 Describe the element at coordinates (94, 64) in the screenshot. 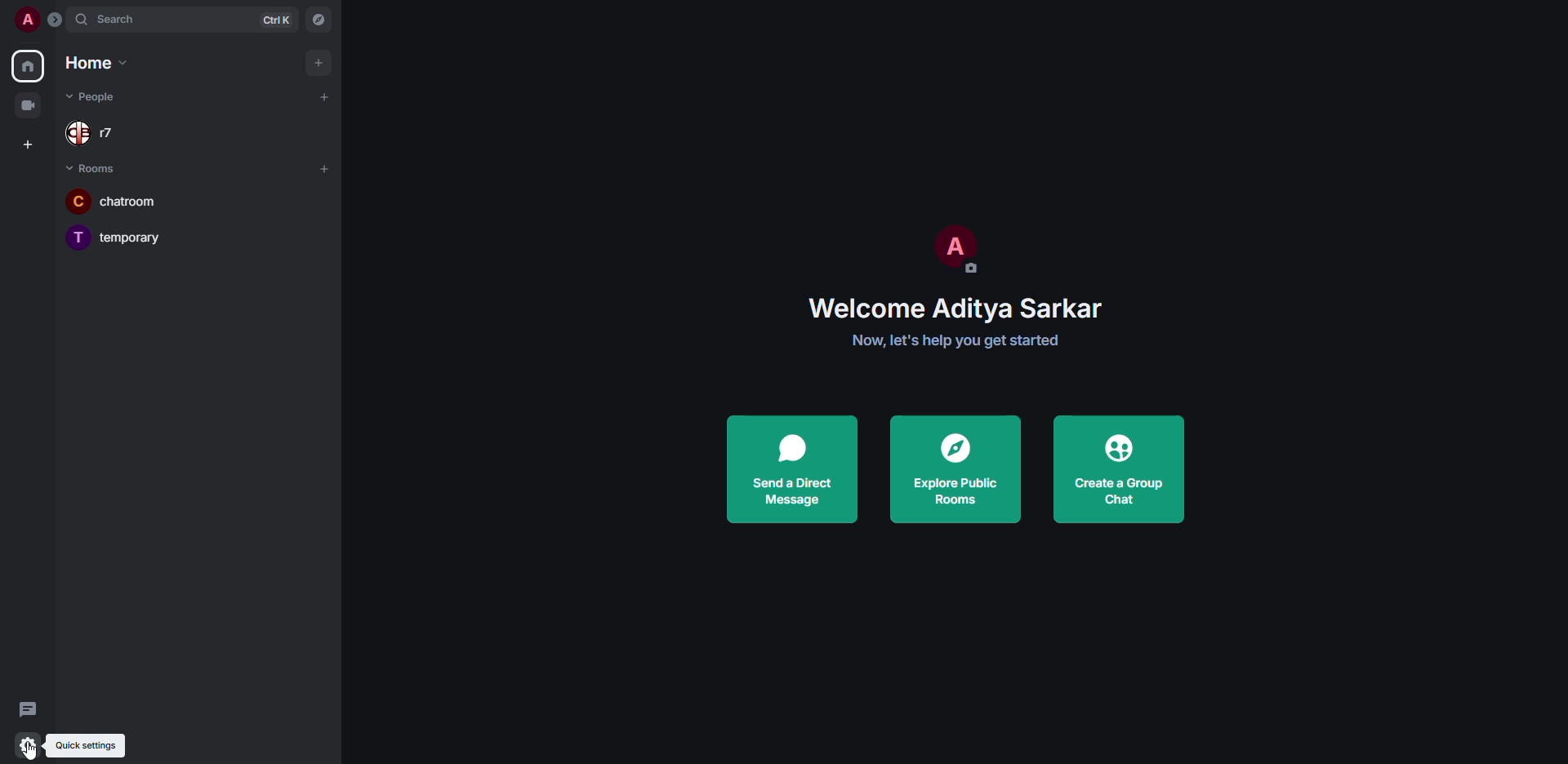

I see `home` at that location.